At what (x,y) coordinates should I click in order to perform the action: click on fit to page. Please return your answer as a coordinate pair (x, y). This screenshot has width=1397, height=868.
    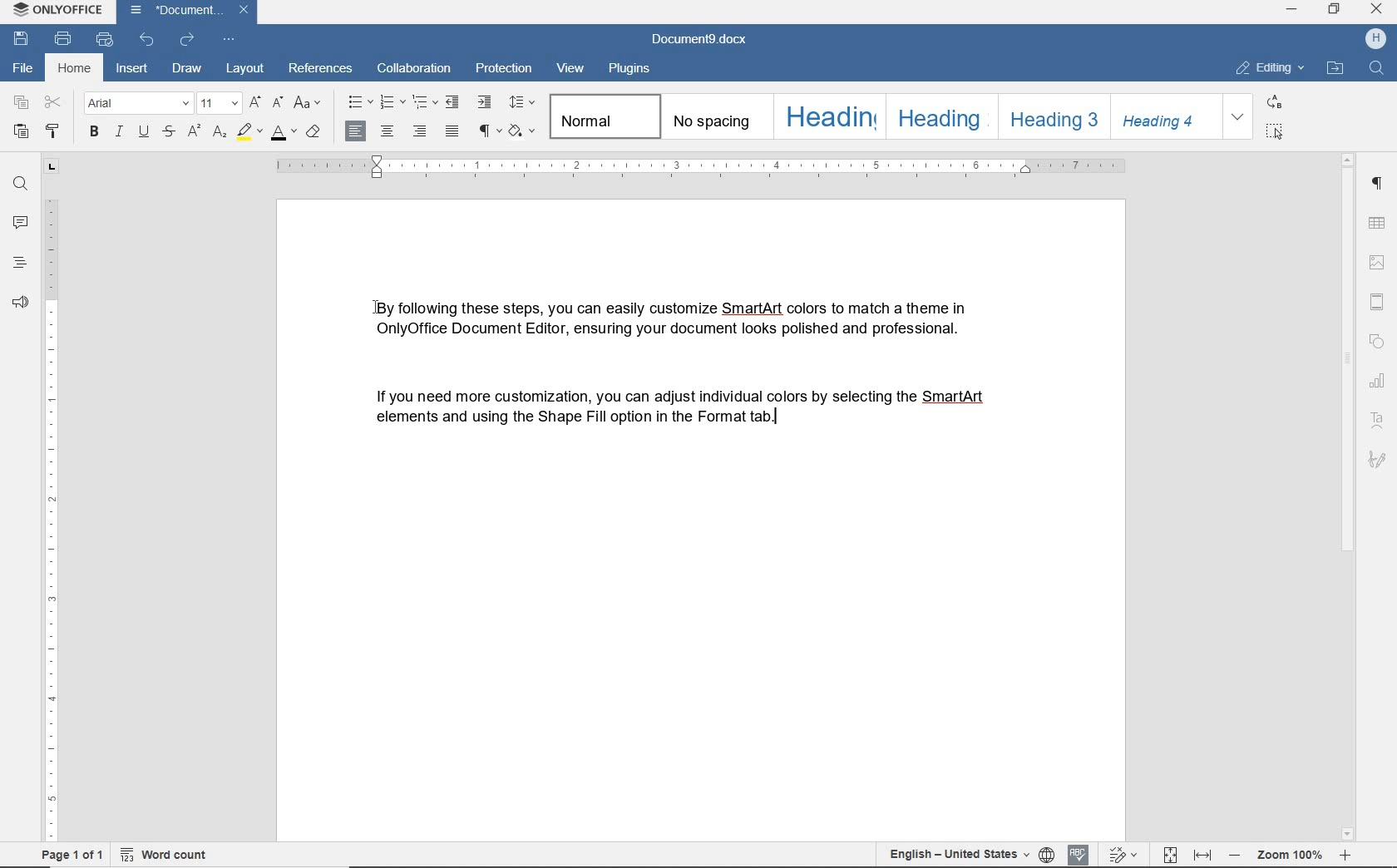
    Looking at the image, I should click on (1172, 852).